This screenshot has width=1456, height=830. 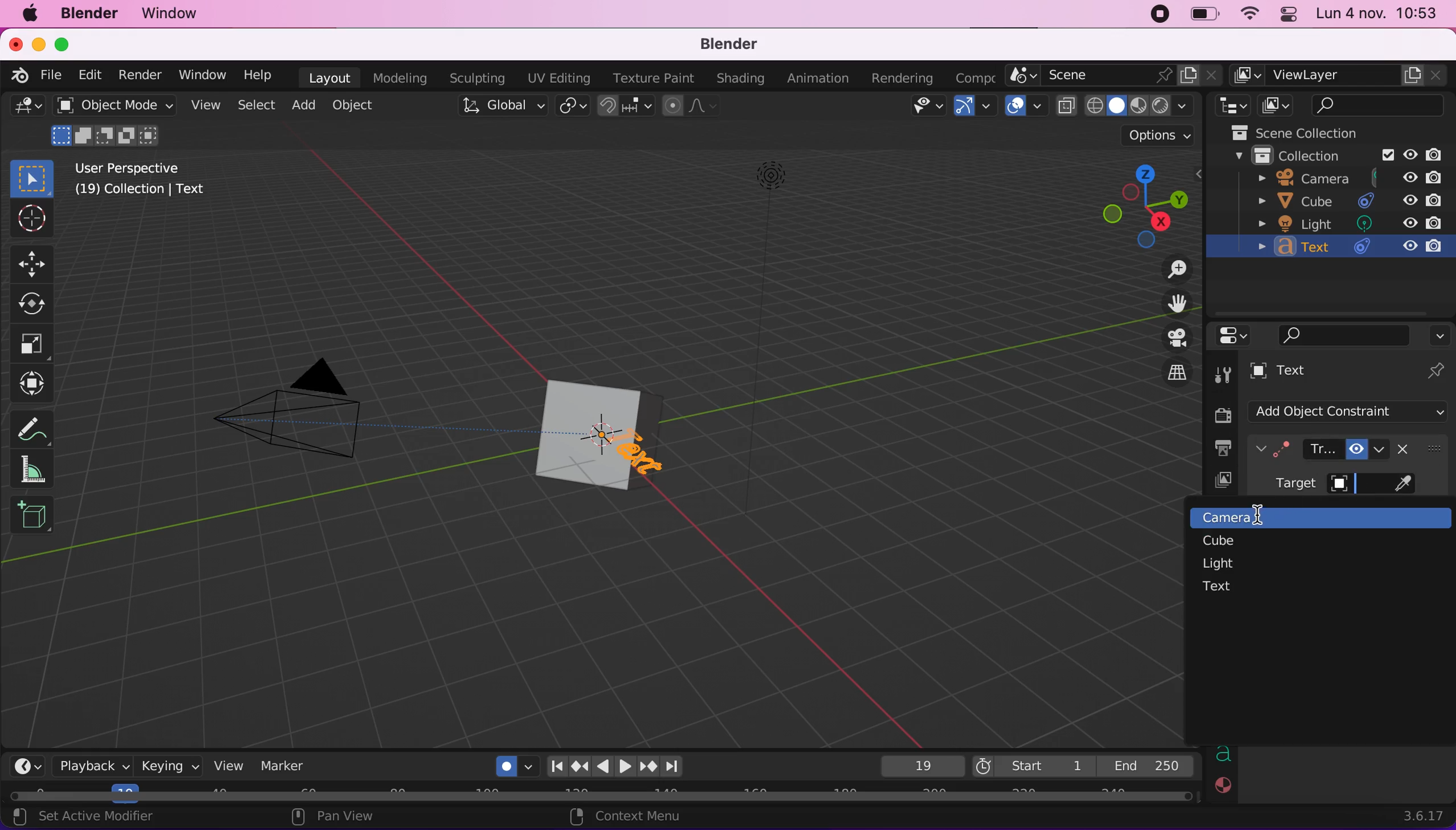 What do you see at coordinates (405, 78) in the screenshot?
I see `modeling` at bounding box center [405, 78].